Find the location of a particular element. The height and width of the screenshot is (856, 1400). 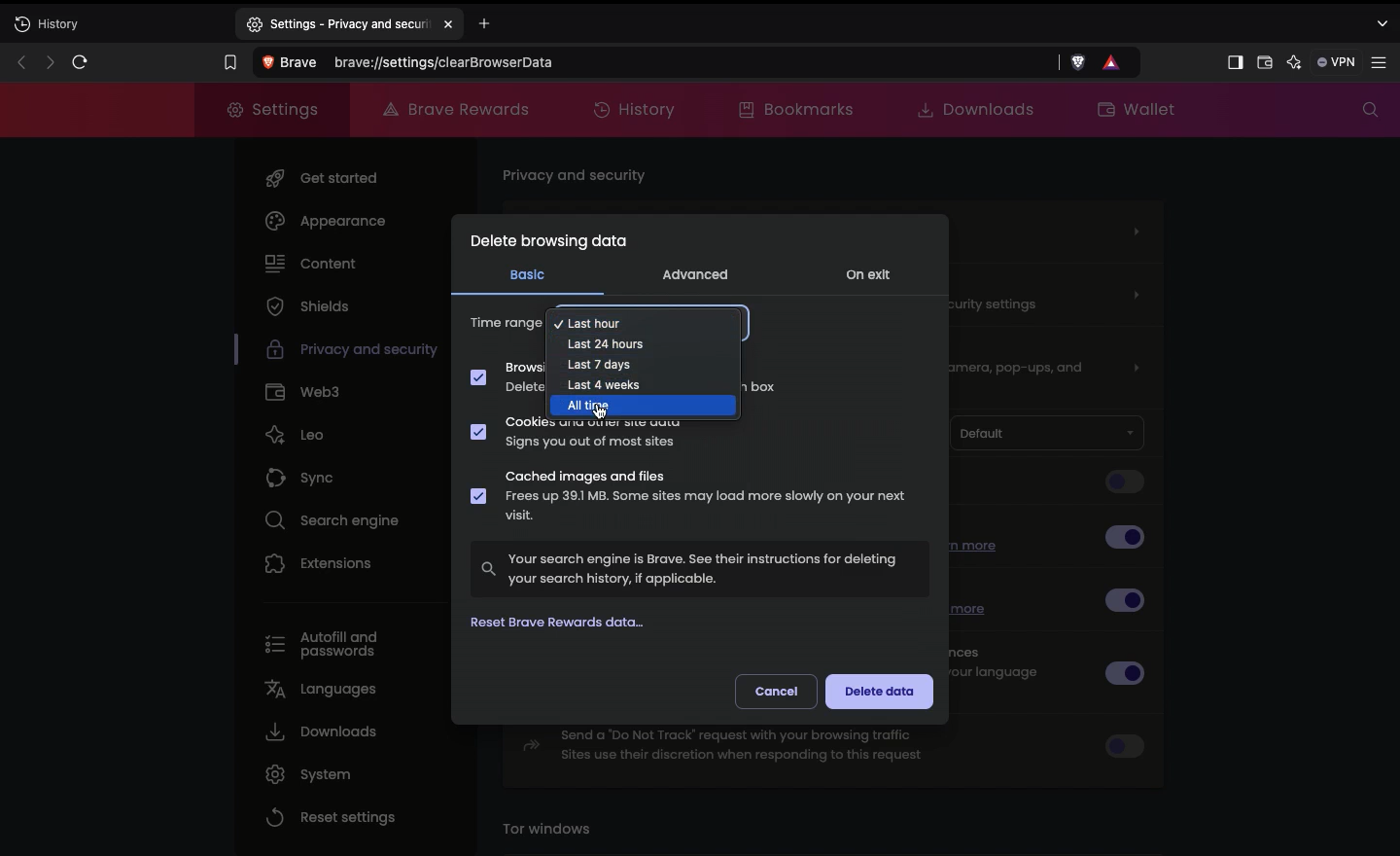

Delete data is located at coordinates (880, 693).